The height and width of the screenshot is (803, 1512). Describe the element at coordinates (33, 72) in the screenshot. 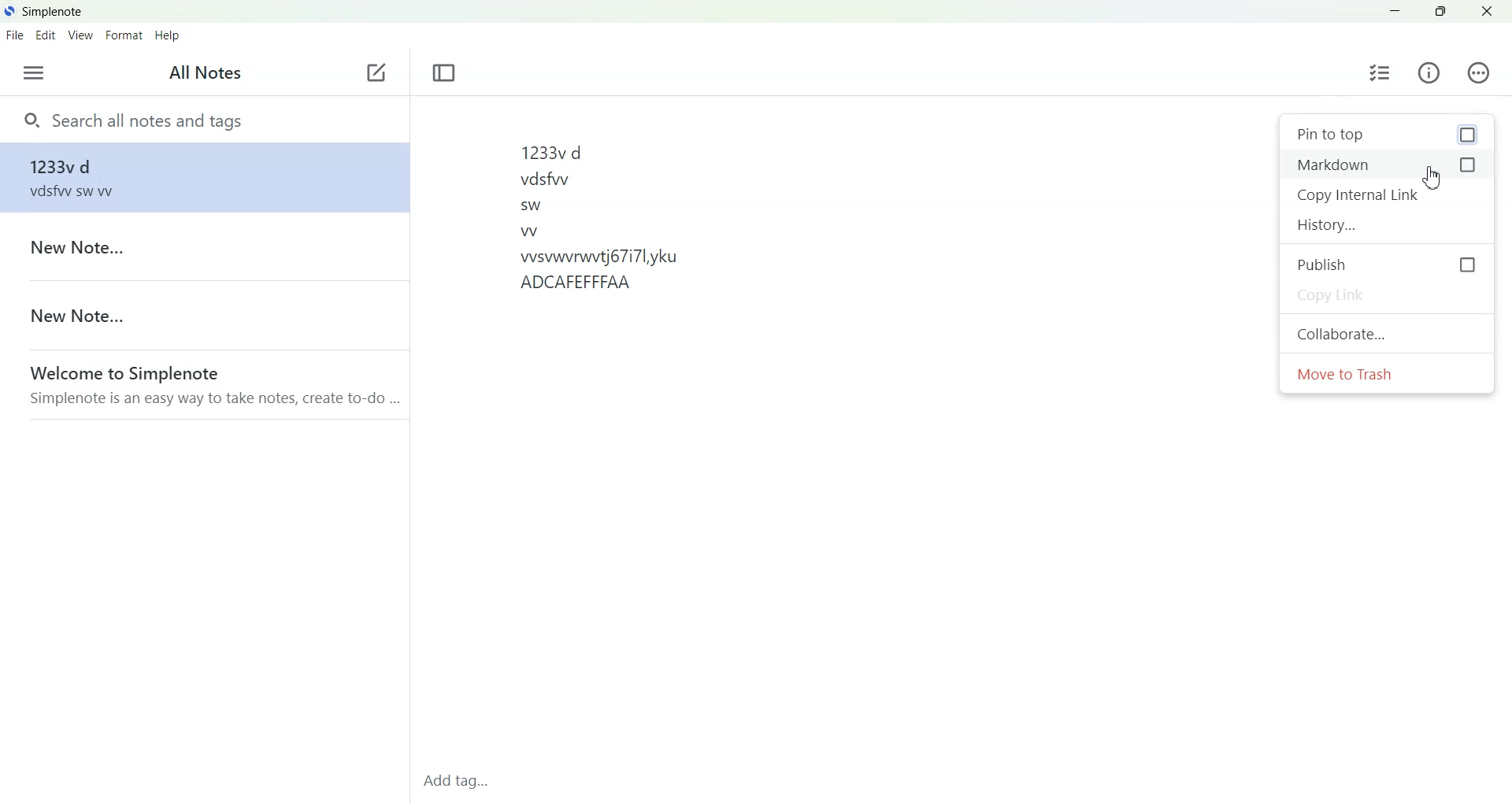

I see `Menu` at that location.